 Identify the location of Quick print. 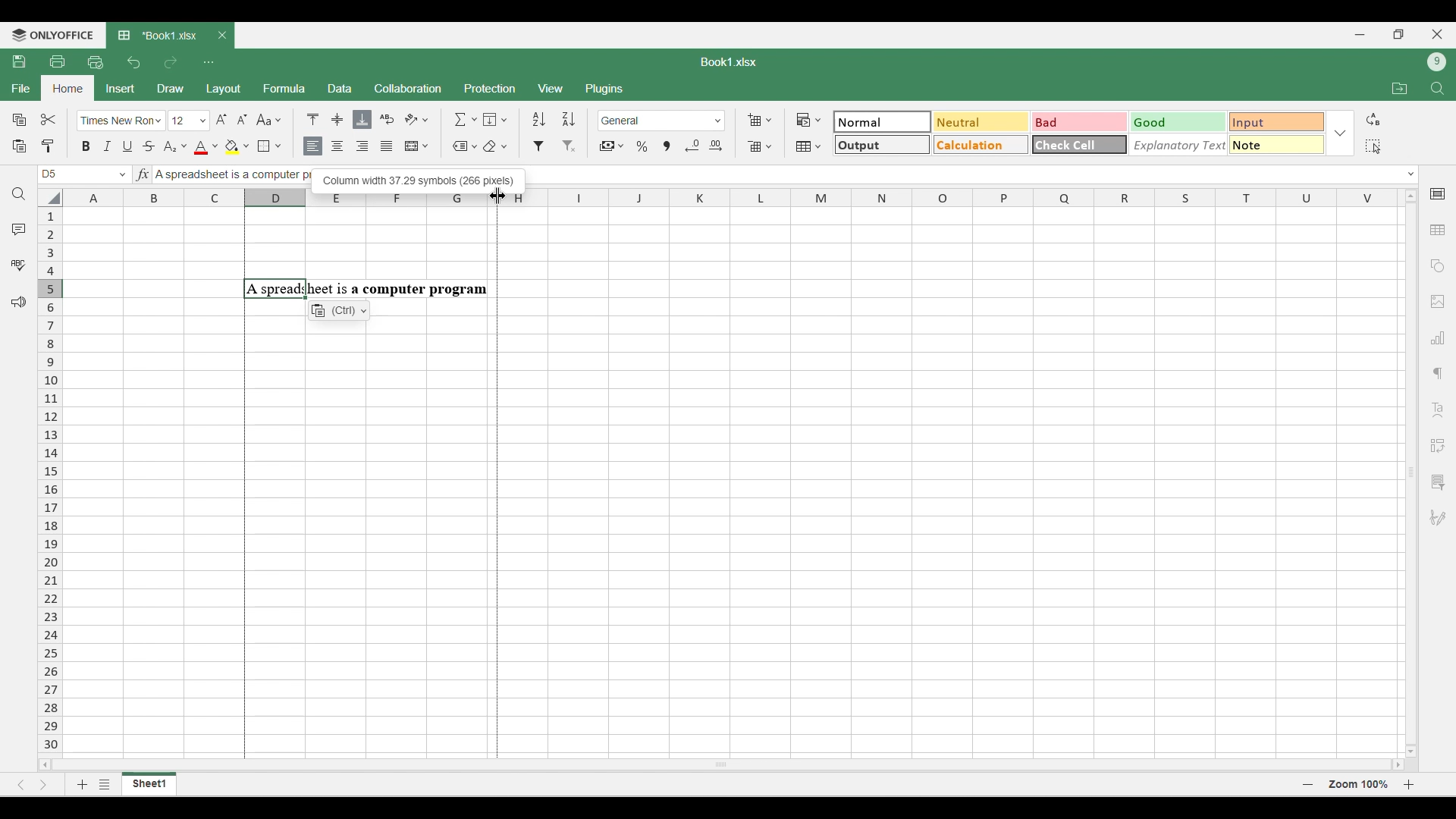
(96, 62).